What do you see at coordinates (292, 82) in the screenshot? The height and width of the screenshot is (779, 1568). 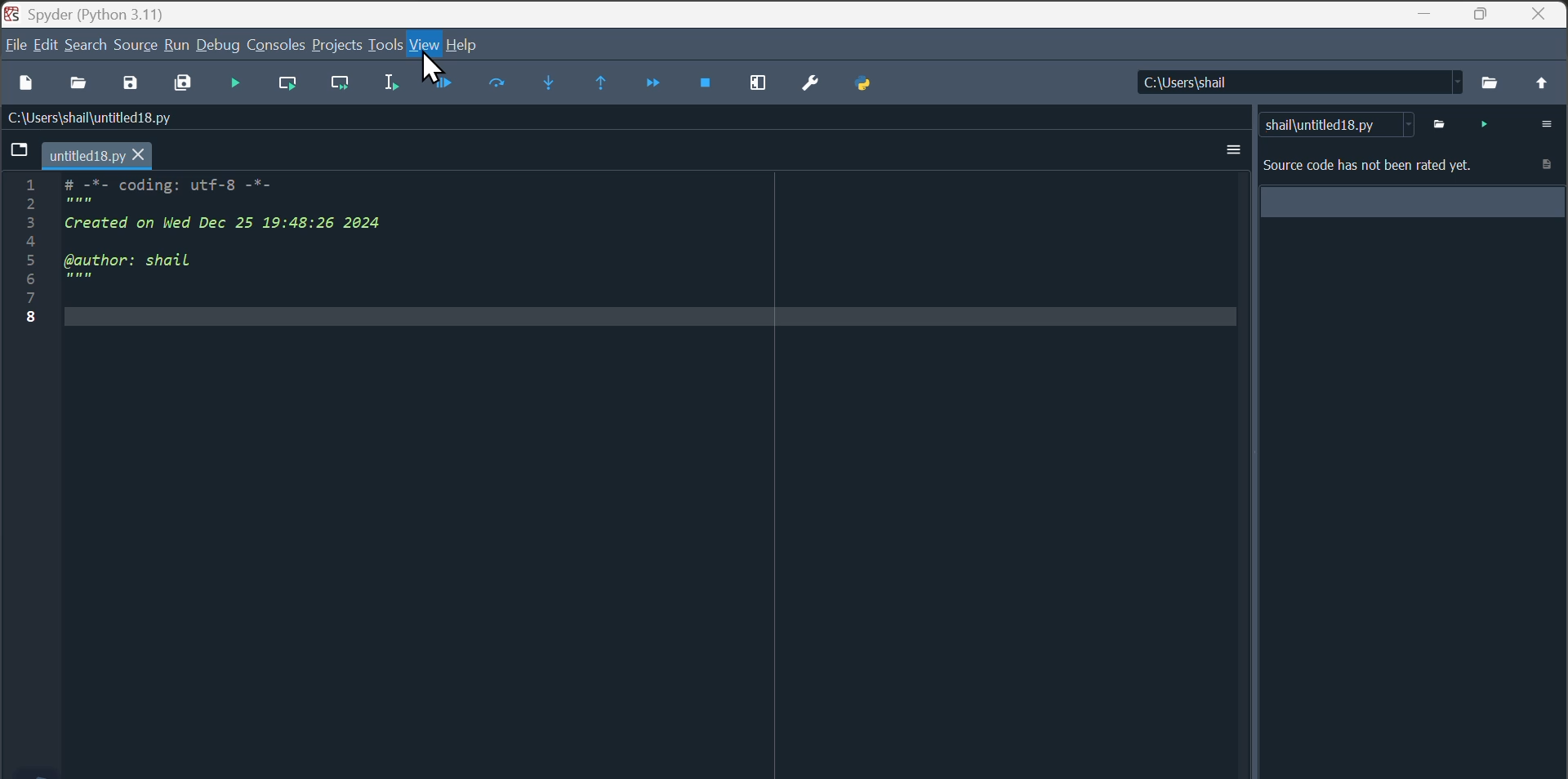 I see `Run Current cell` at bounding box center [292, 82].